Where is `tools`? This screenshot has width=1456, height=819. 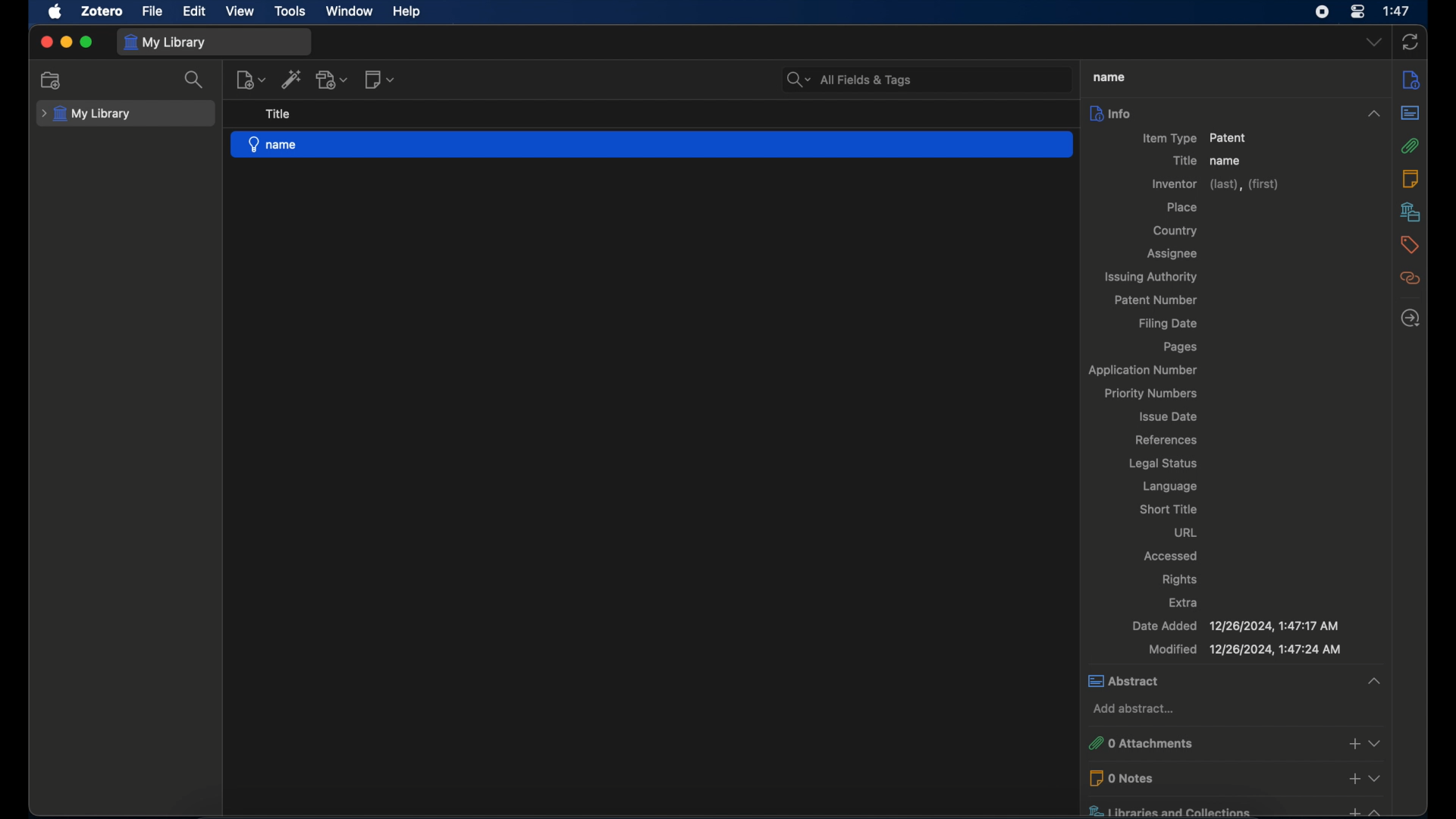
tools is located at coordinates (290, 11).